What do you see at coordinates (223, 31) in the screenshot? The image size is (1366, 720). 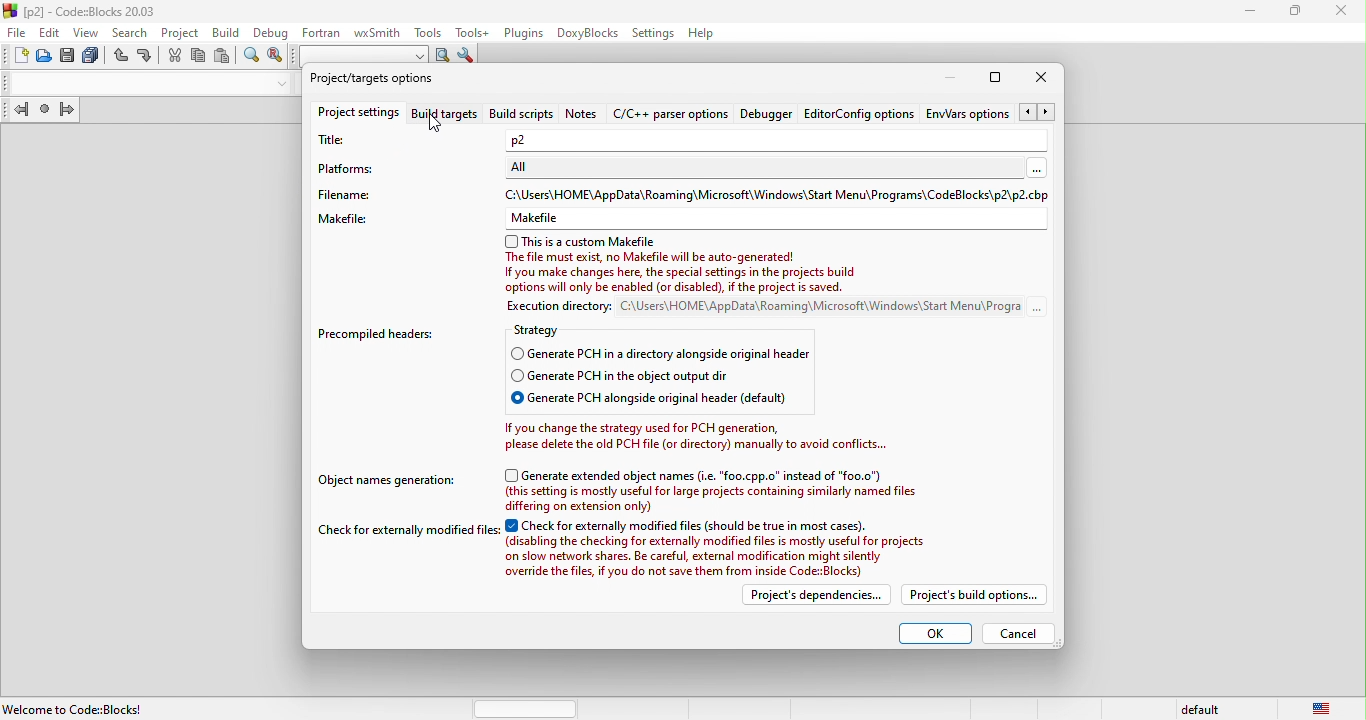 I see `build` at bounding box center [223, 31].